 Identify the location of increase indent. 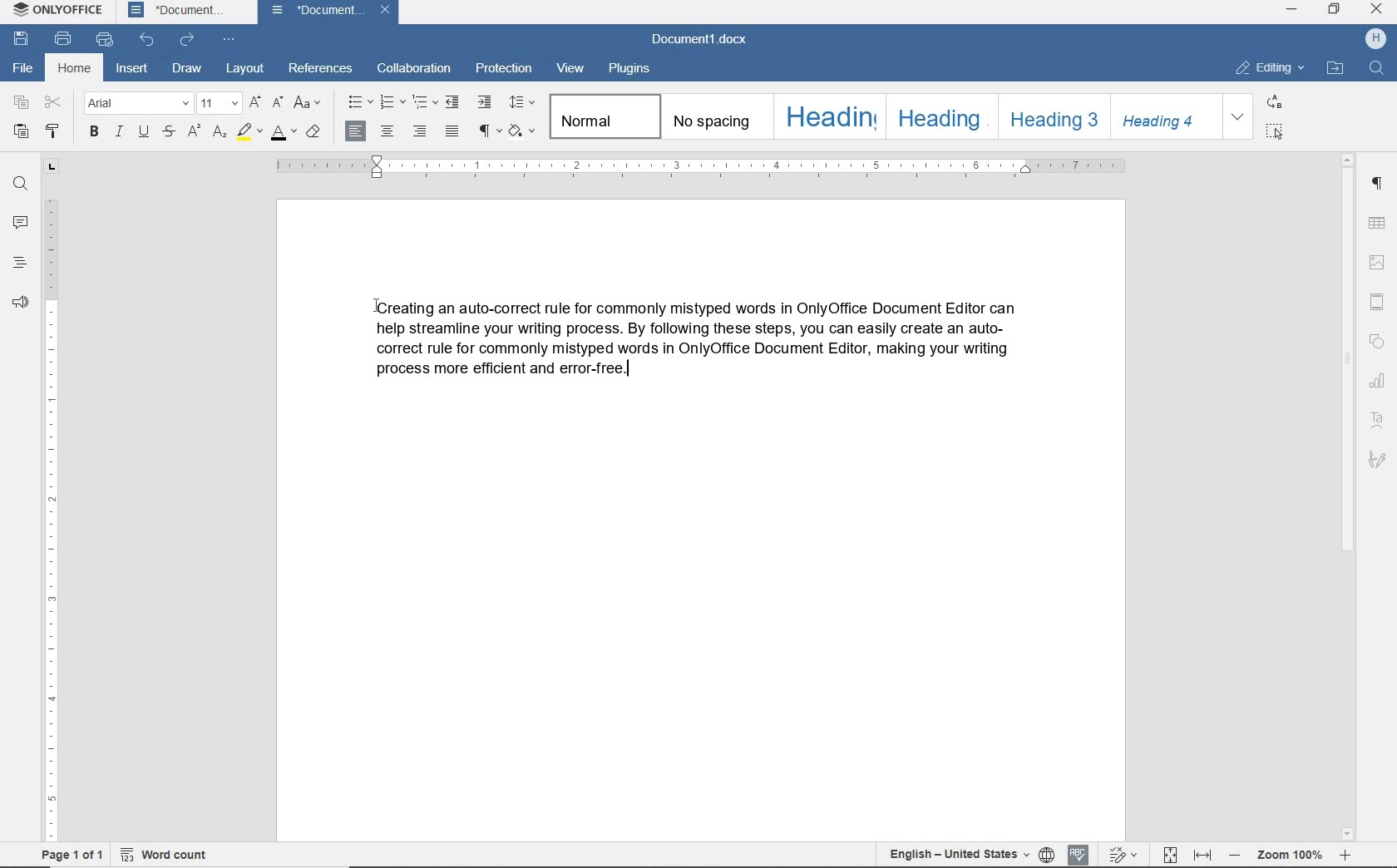
(485, 103).